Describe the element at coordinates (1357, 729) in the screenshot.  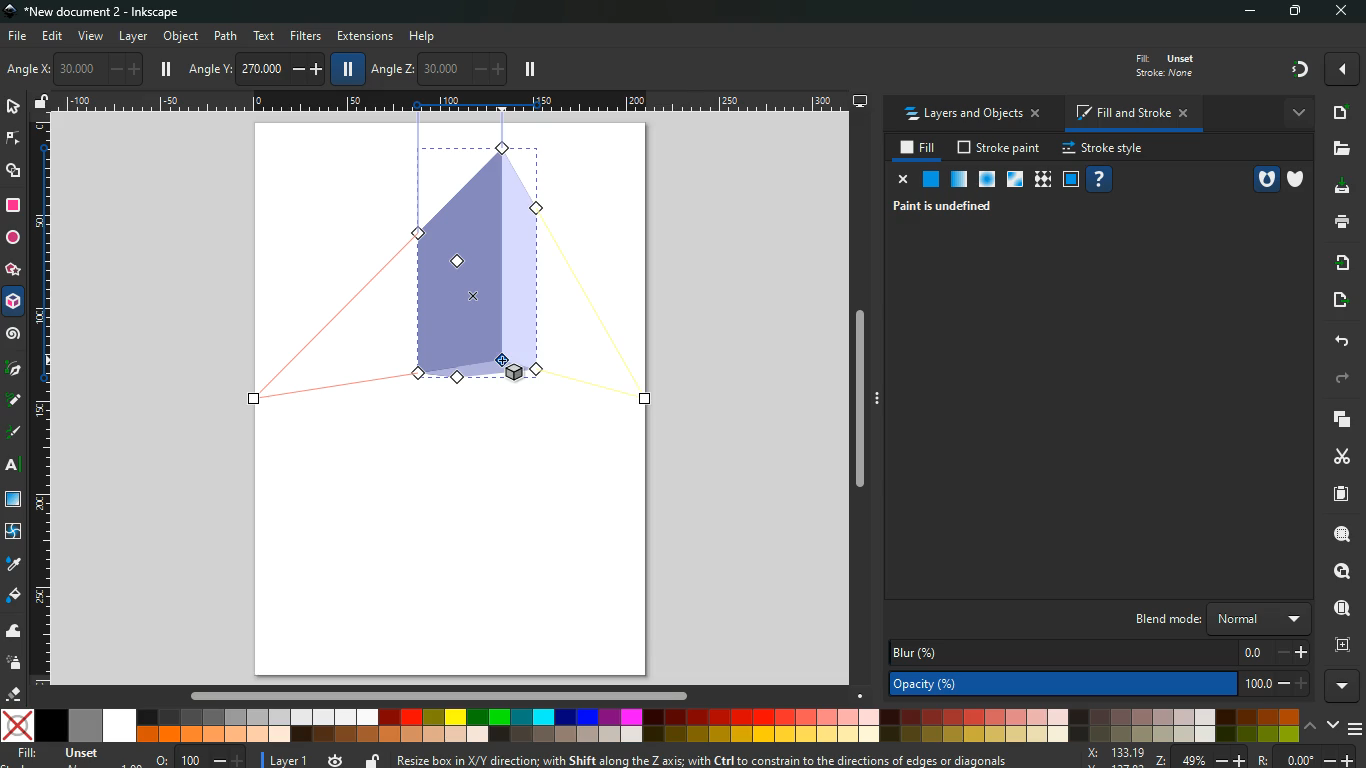
I see `menu` at that location.